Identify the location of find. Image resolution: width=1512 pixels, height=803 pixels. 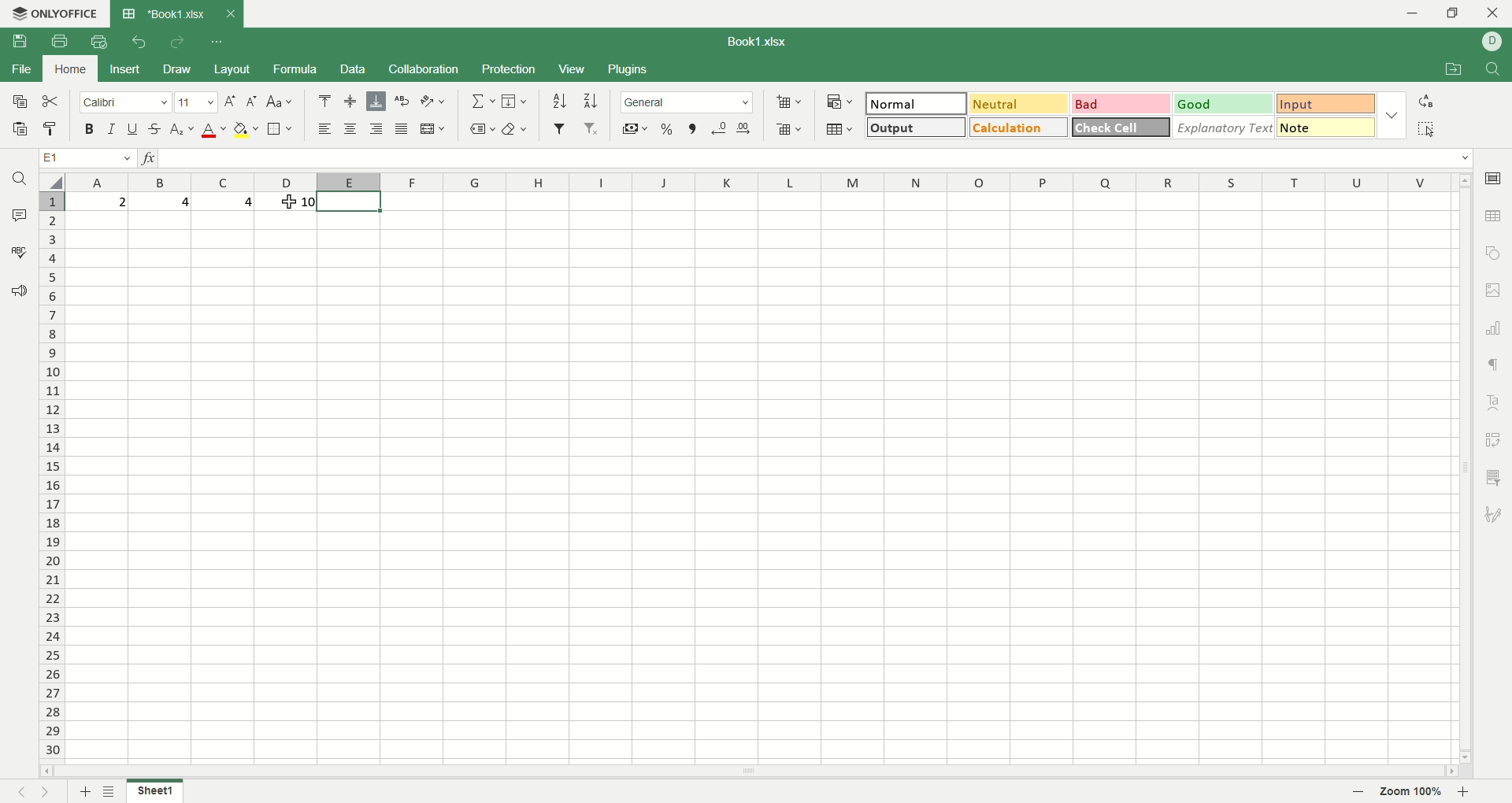
(1495, 69).